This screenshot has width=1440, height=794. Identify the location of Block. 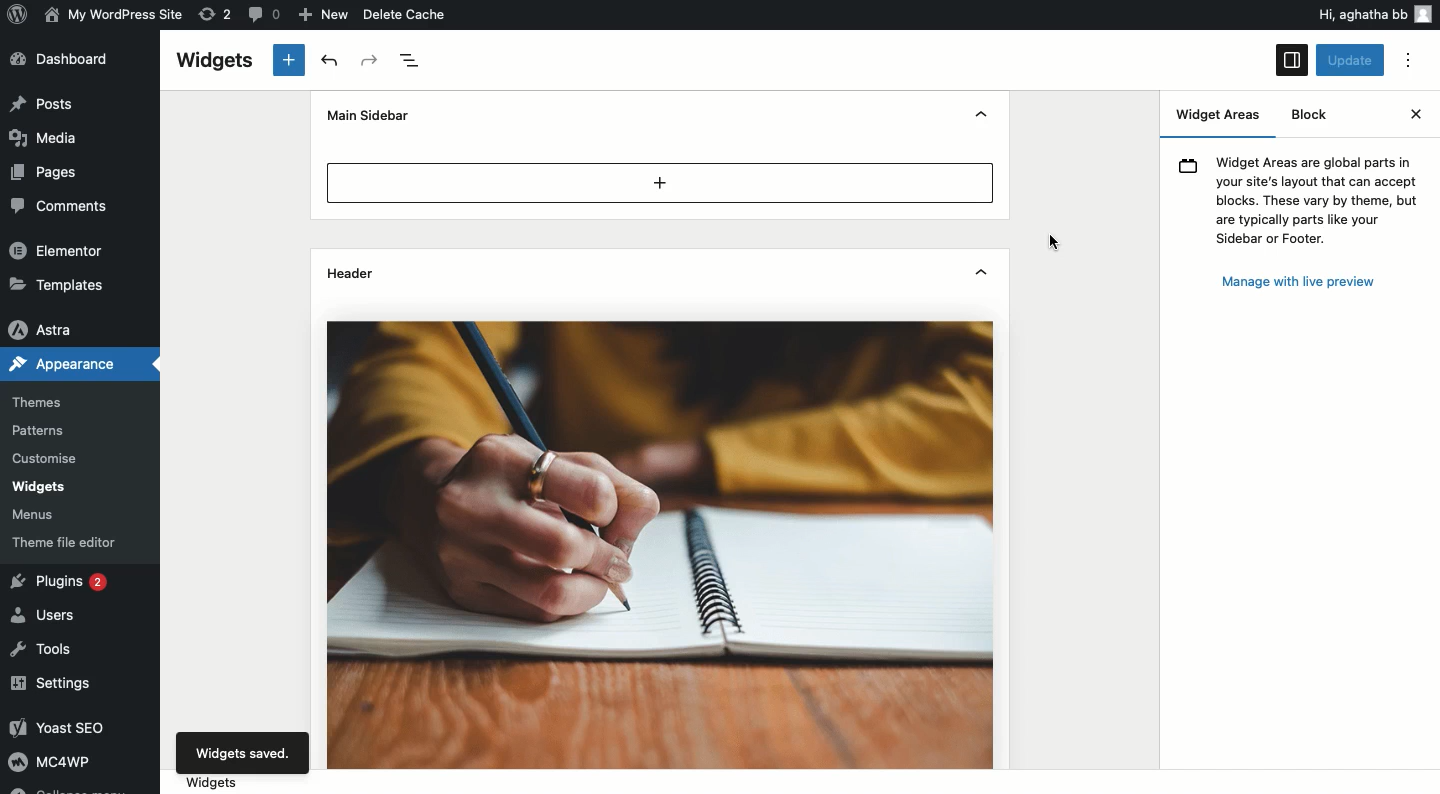
(1306, 116).